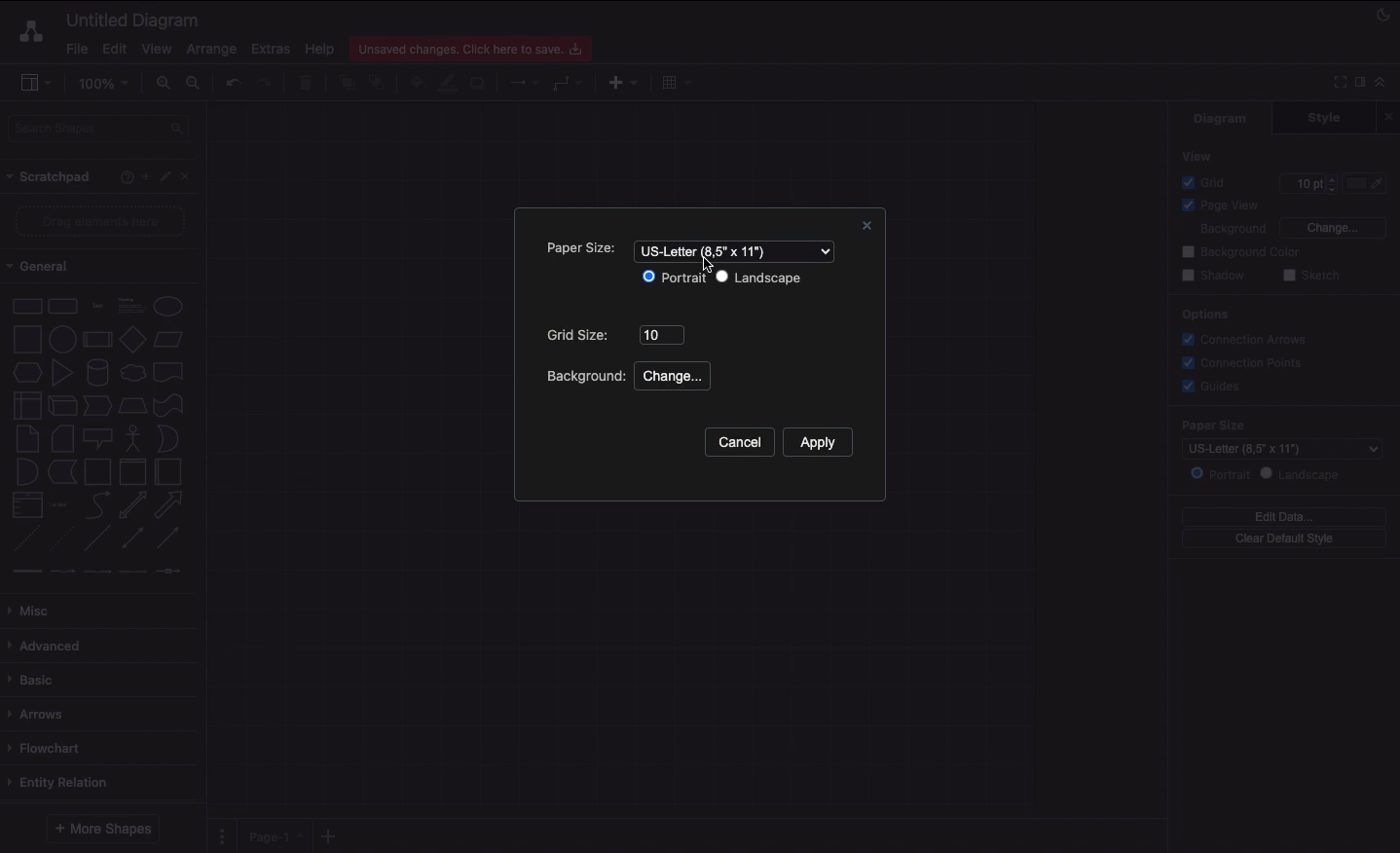 This screenshot has width=1400, height=853. Describe the element at coordinates (145, 175) in the screenshot. I see `Add` at that location.